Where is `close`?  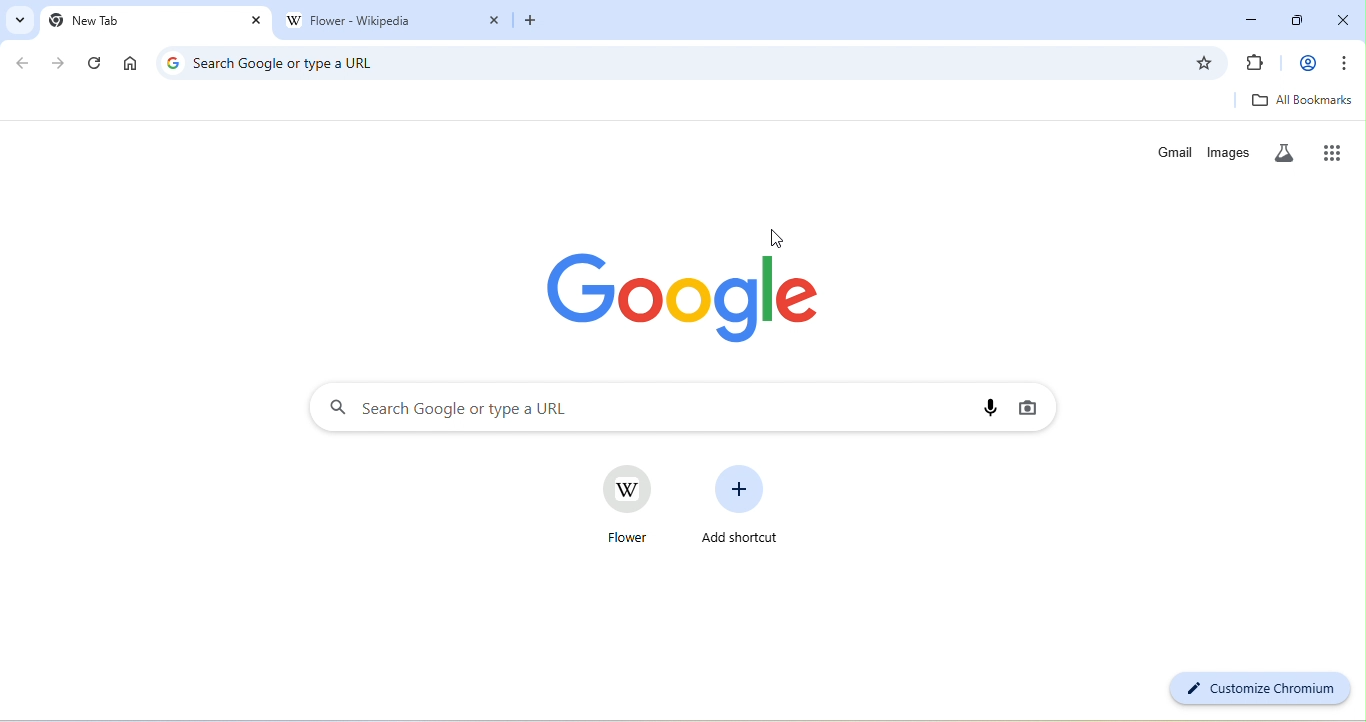
close is located at coordinates (495, 23).